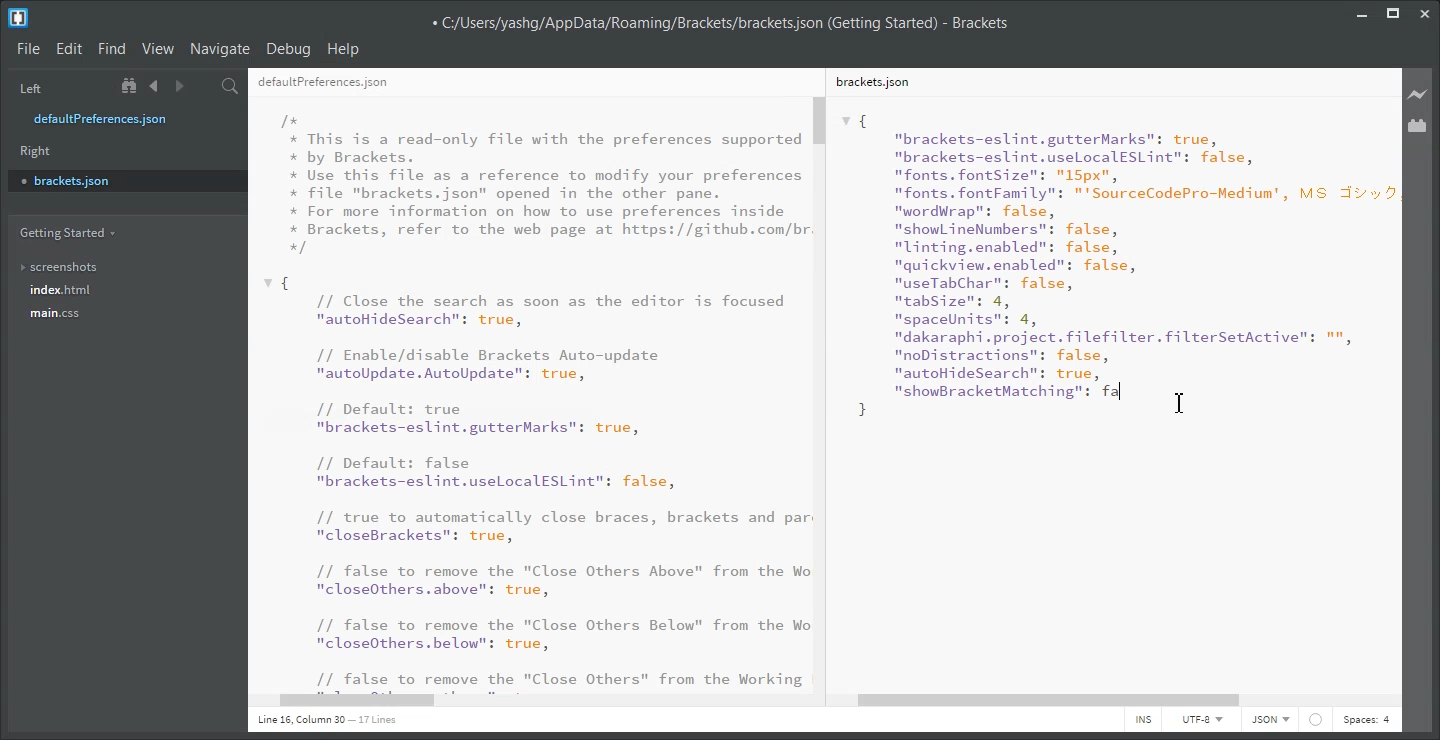  Describe the element at coordinates (1316, 720) in the screenshot. I see `Icon` at that location.